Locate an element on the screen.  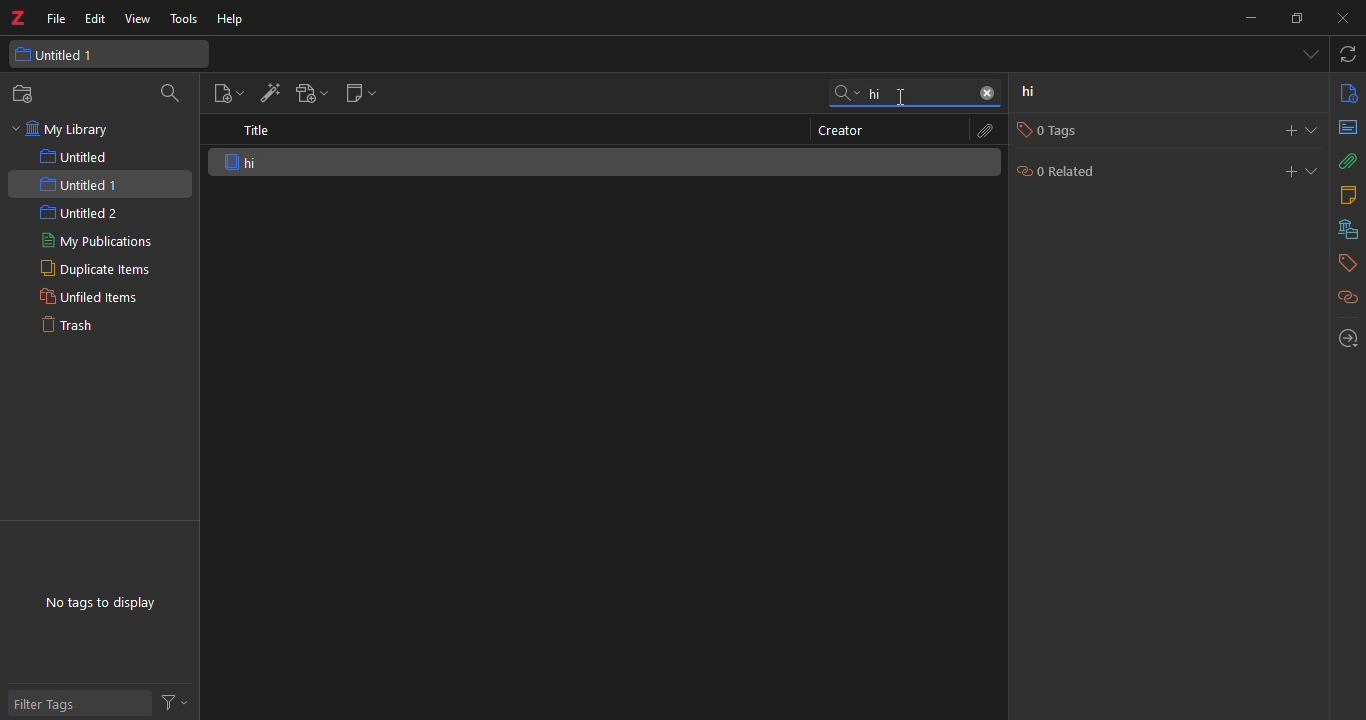
new collection is located at coordinates (28, 94).